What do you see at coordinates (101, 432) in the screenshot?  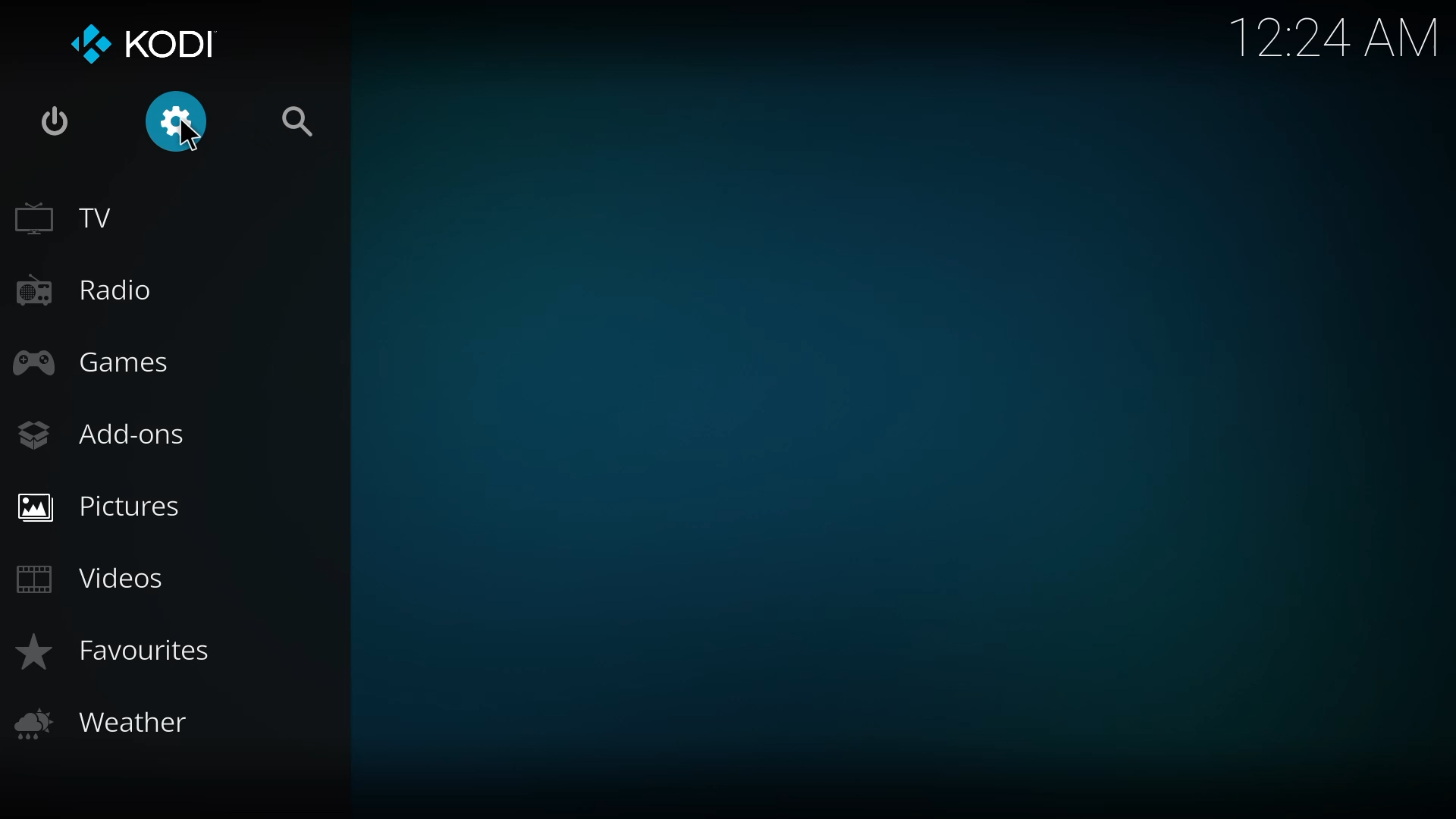 I see `add-ons` at bounding box center [101, 432].